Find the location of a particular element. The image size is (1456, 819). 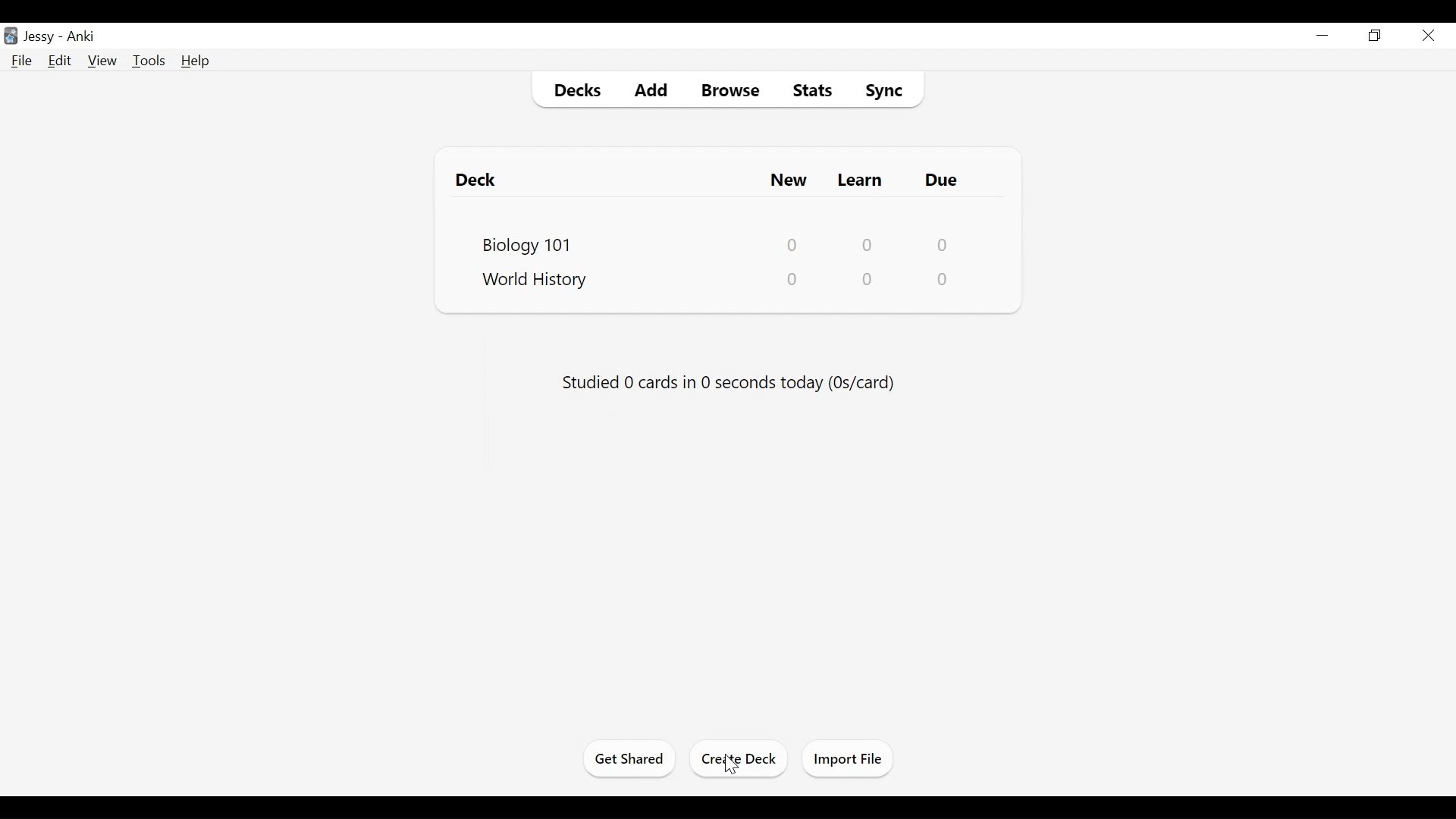

Restore is located at coordinates (1375, 35).